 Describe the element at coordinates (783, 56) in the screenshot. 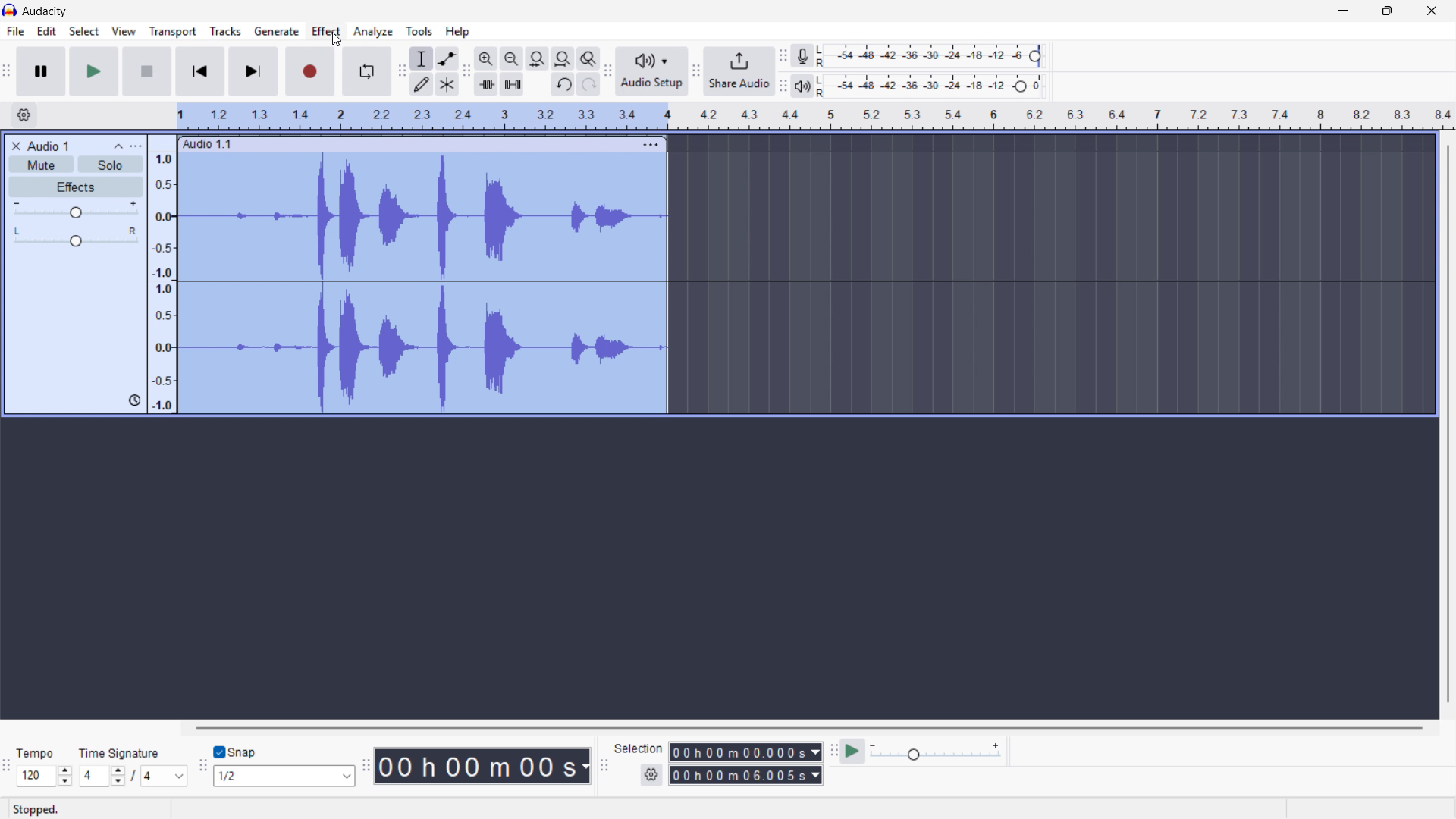

I see `Recording metre toolbar` at that location.